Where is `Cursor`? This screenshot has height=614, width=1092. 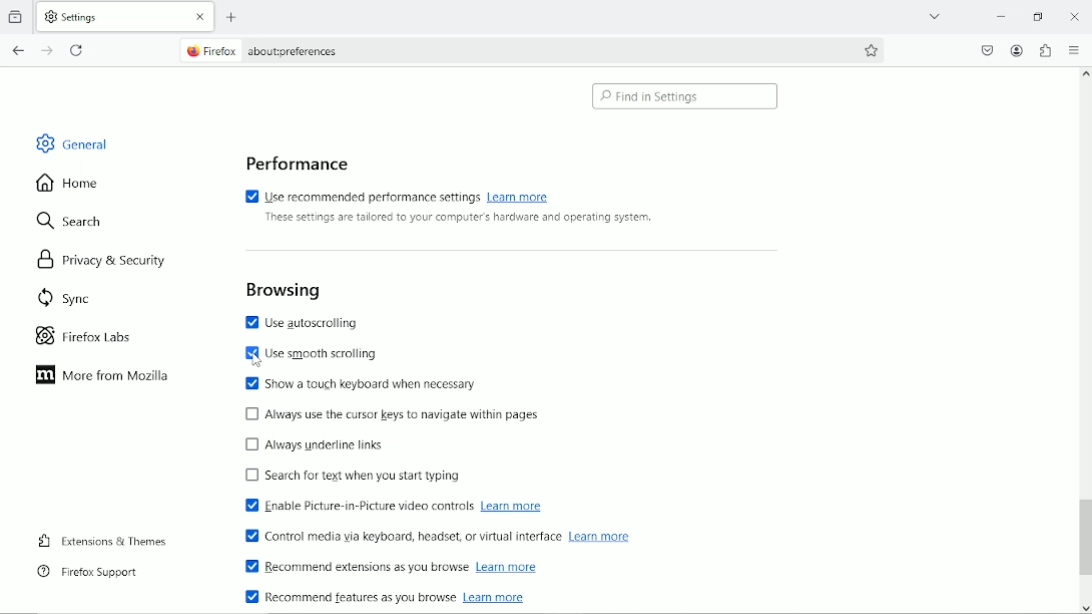 Cursor is located at coordinates (255, 360).